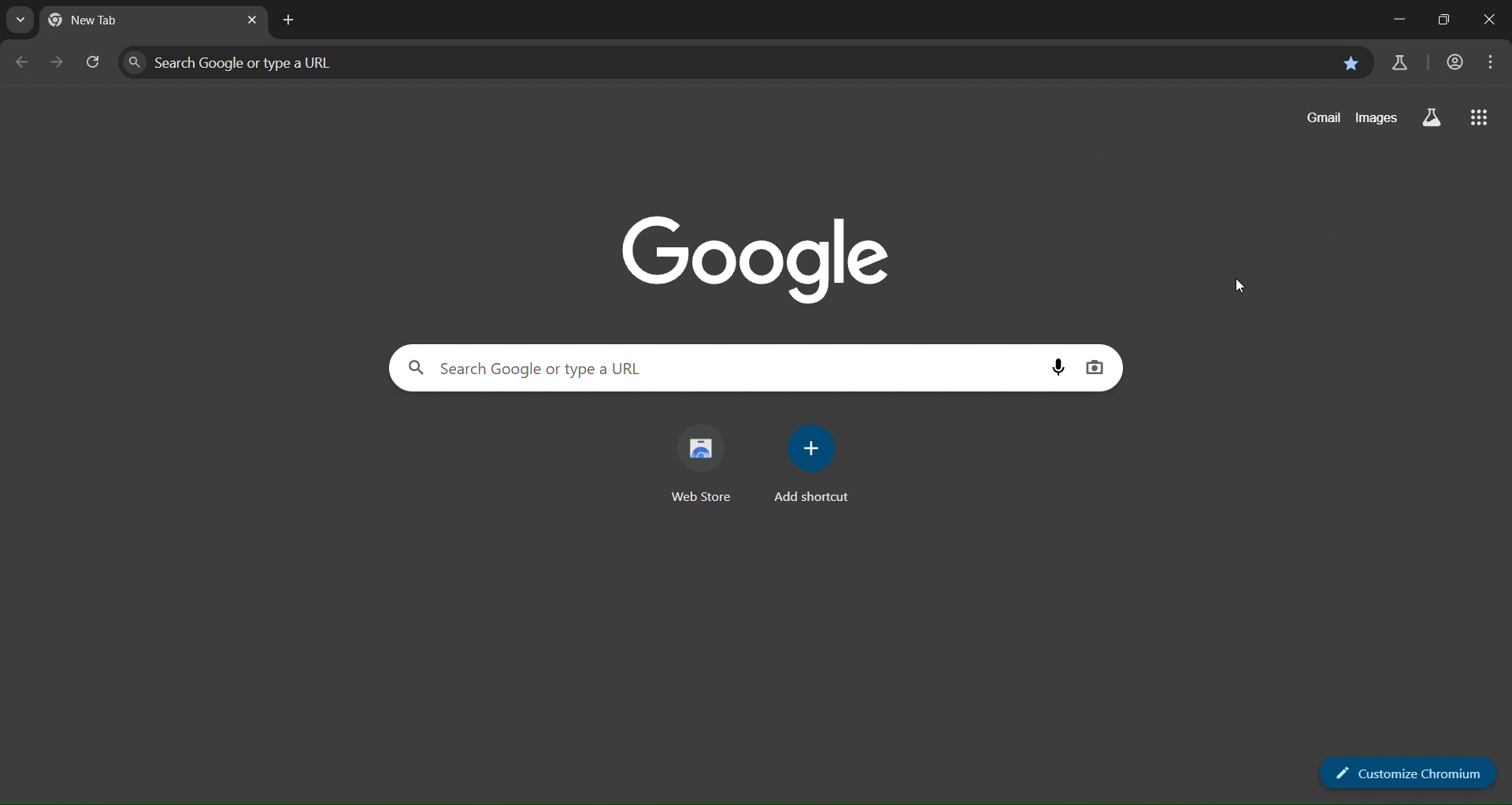 The width and height of the screenshot is (1512, 805). What do you see at coordinates (1434, 118) in the screenshot?
I see `search labs` at bounding box center [1434, 118].